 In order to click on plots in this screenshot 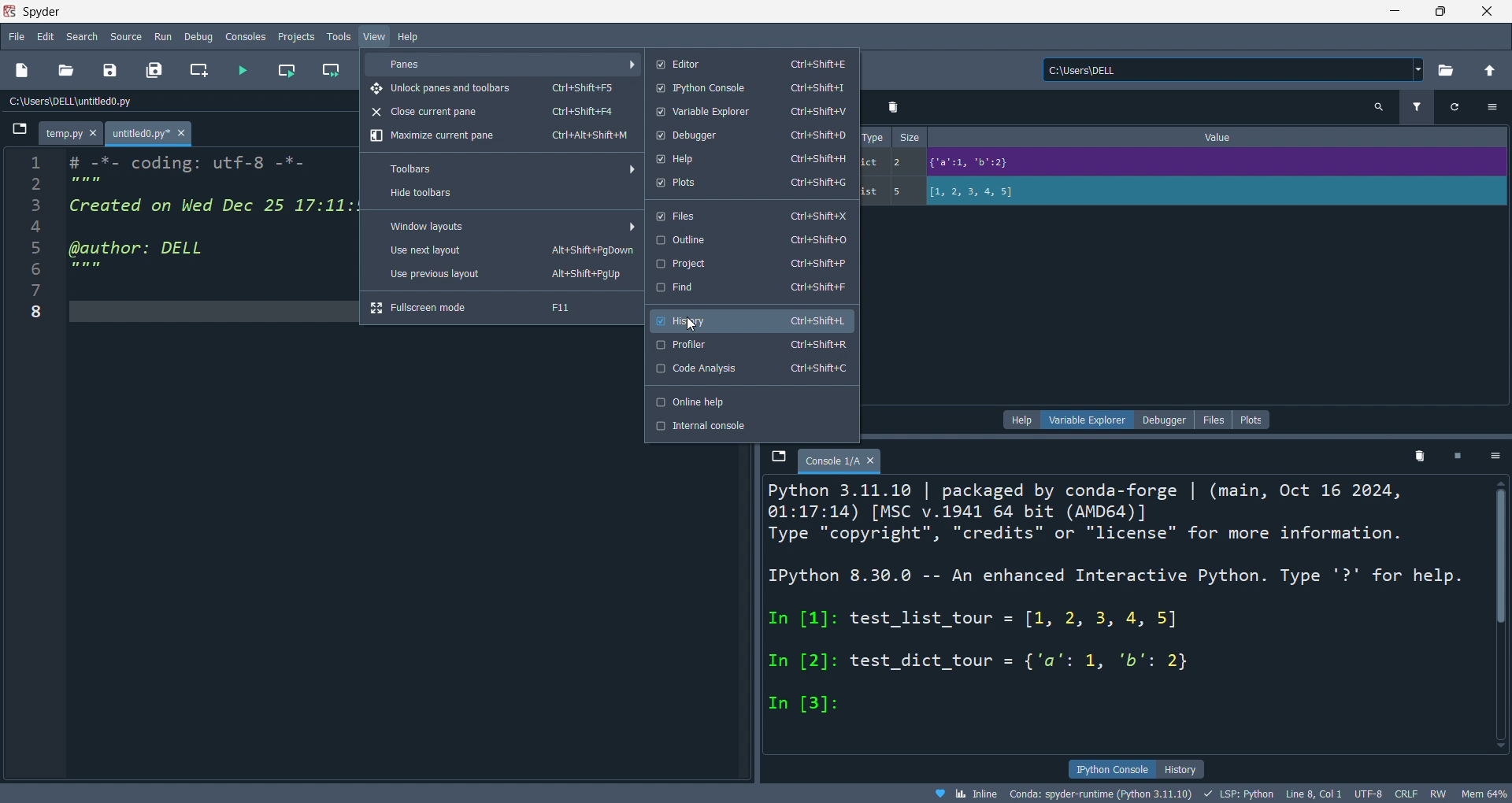, I will do `click(1252, 420)`.